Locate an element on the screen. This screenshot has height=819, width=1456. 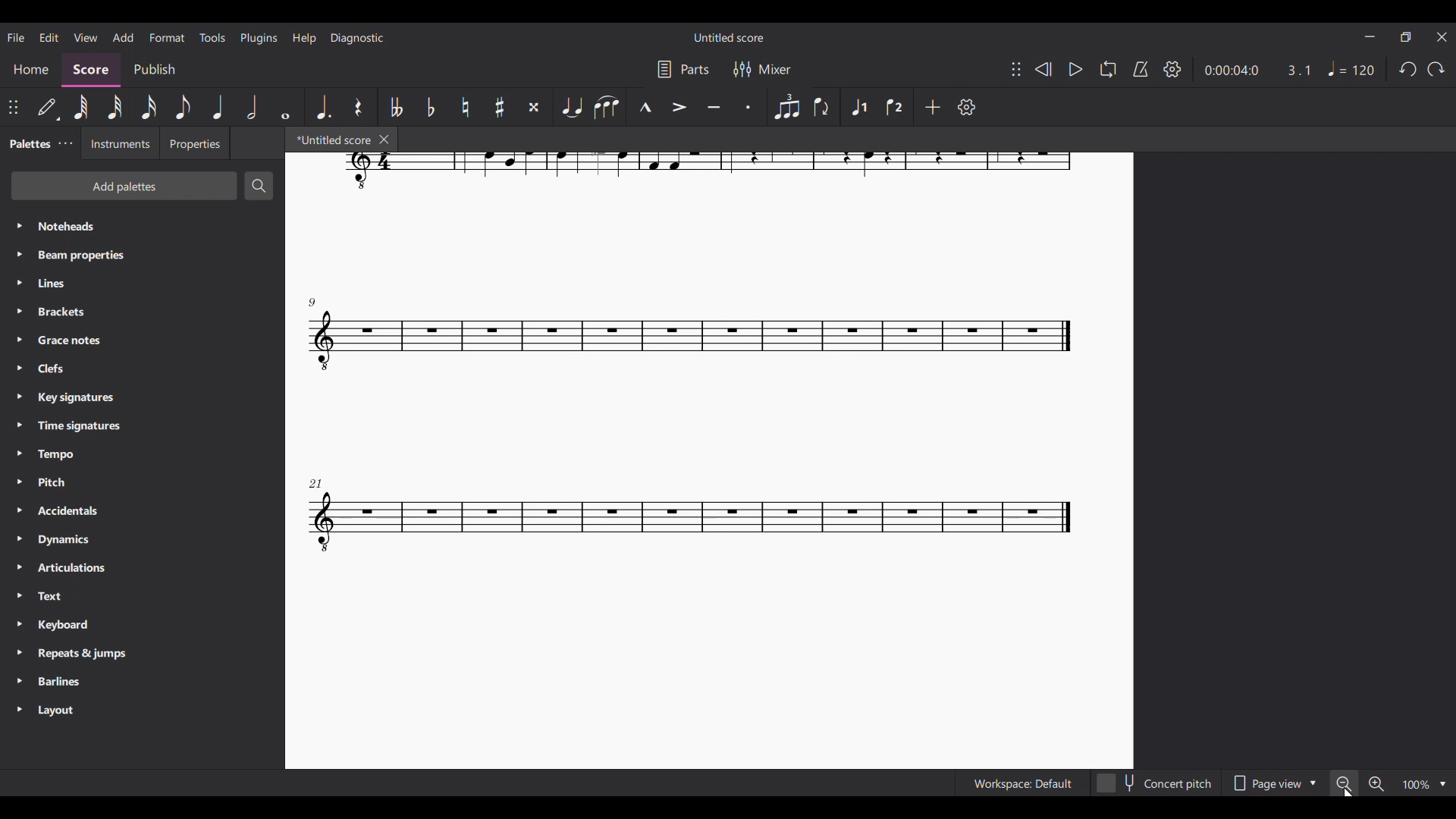
Augmentation dot is located at coordinates (324, 107).